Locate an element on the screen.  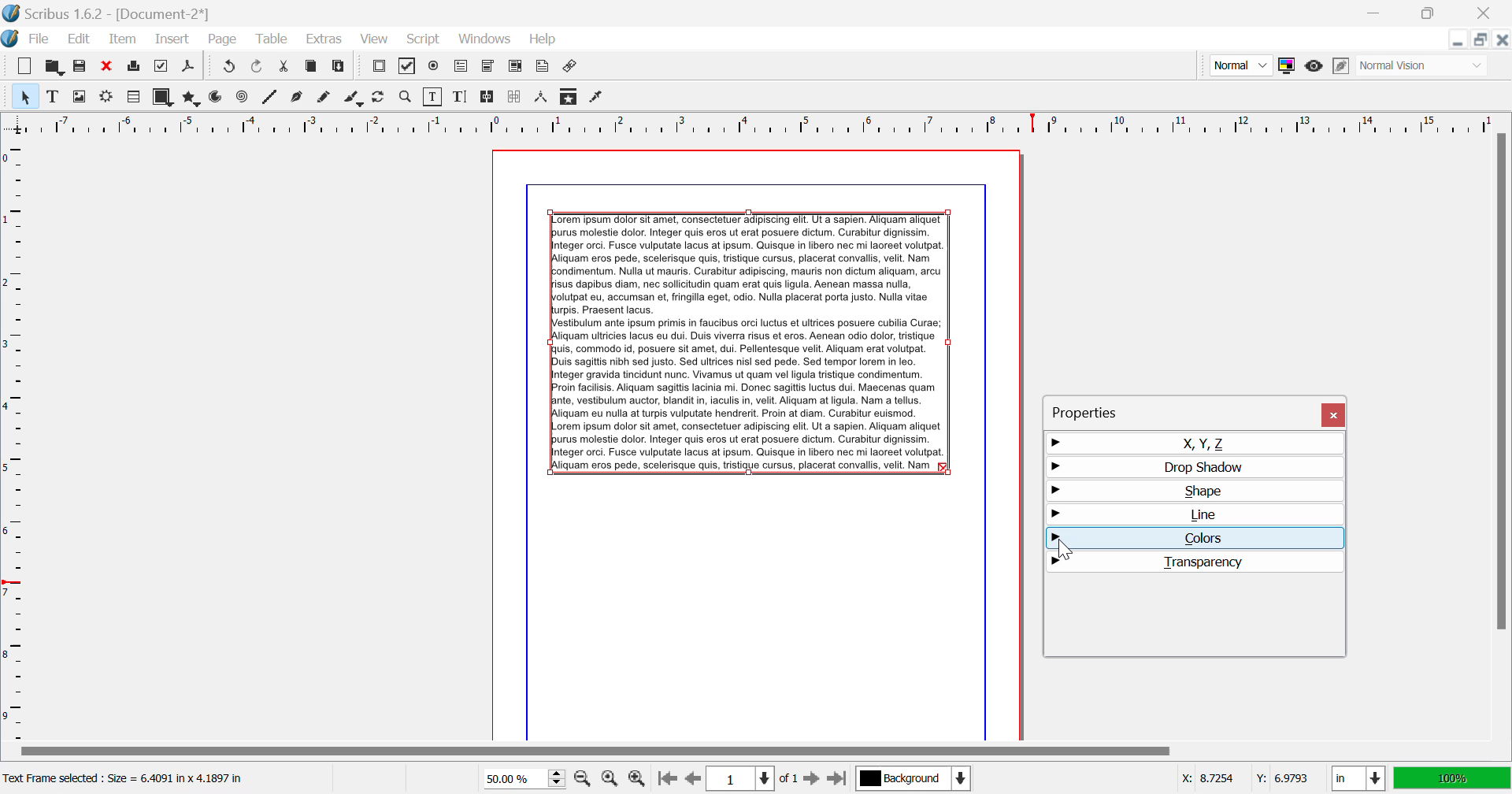
Page 1 of 1 is located at coordinates (750, 778).